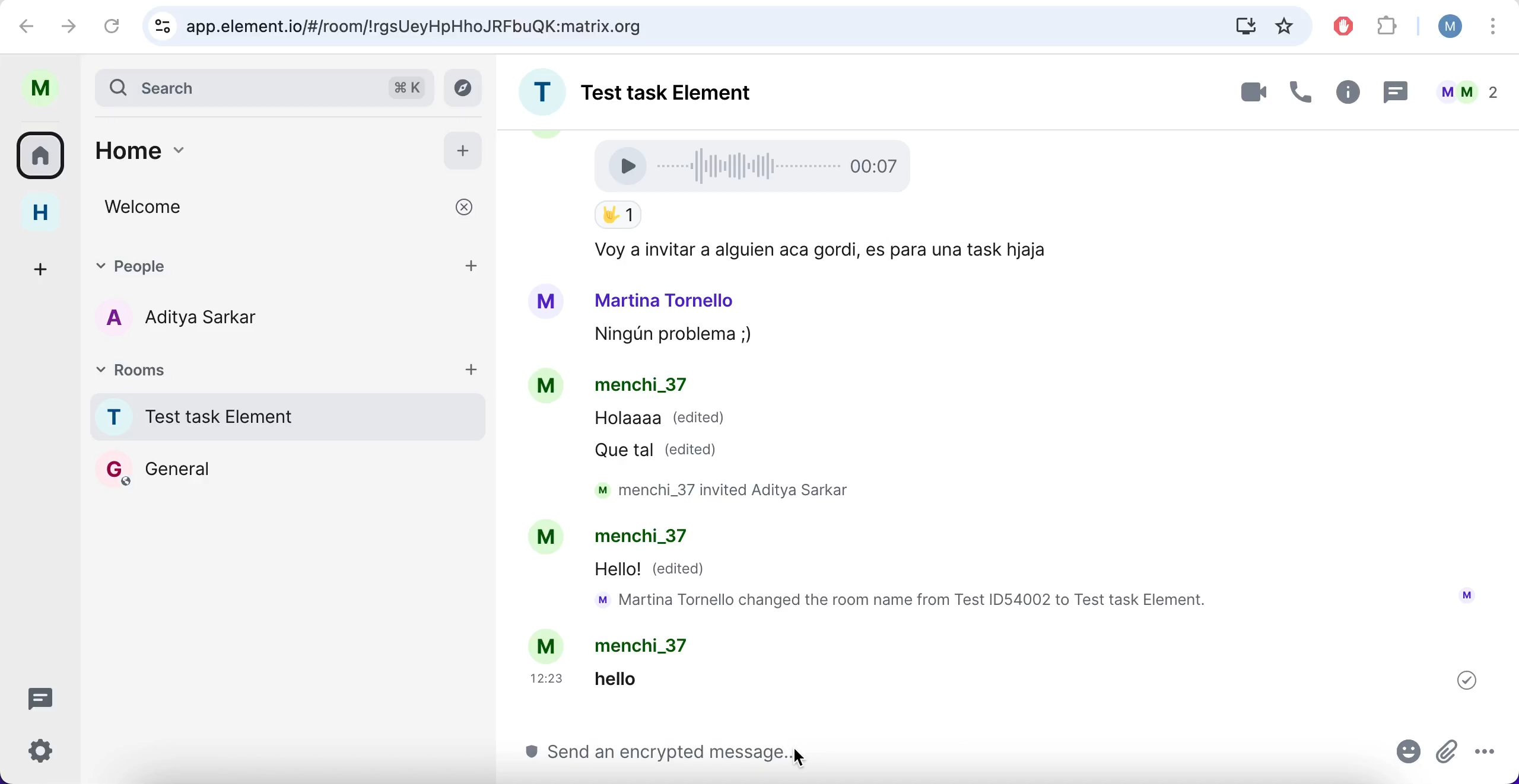  I want to click on videocall, so click(1252, 91).